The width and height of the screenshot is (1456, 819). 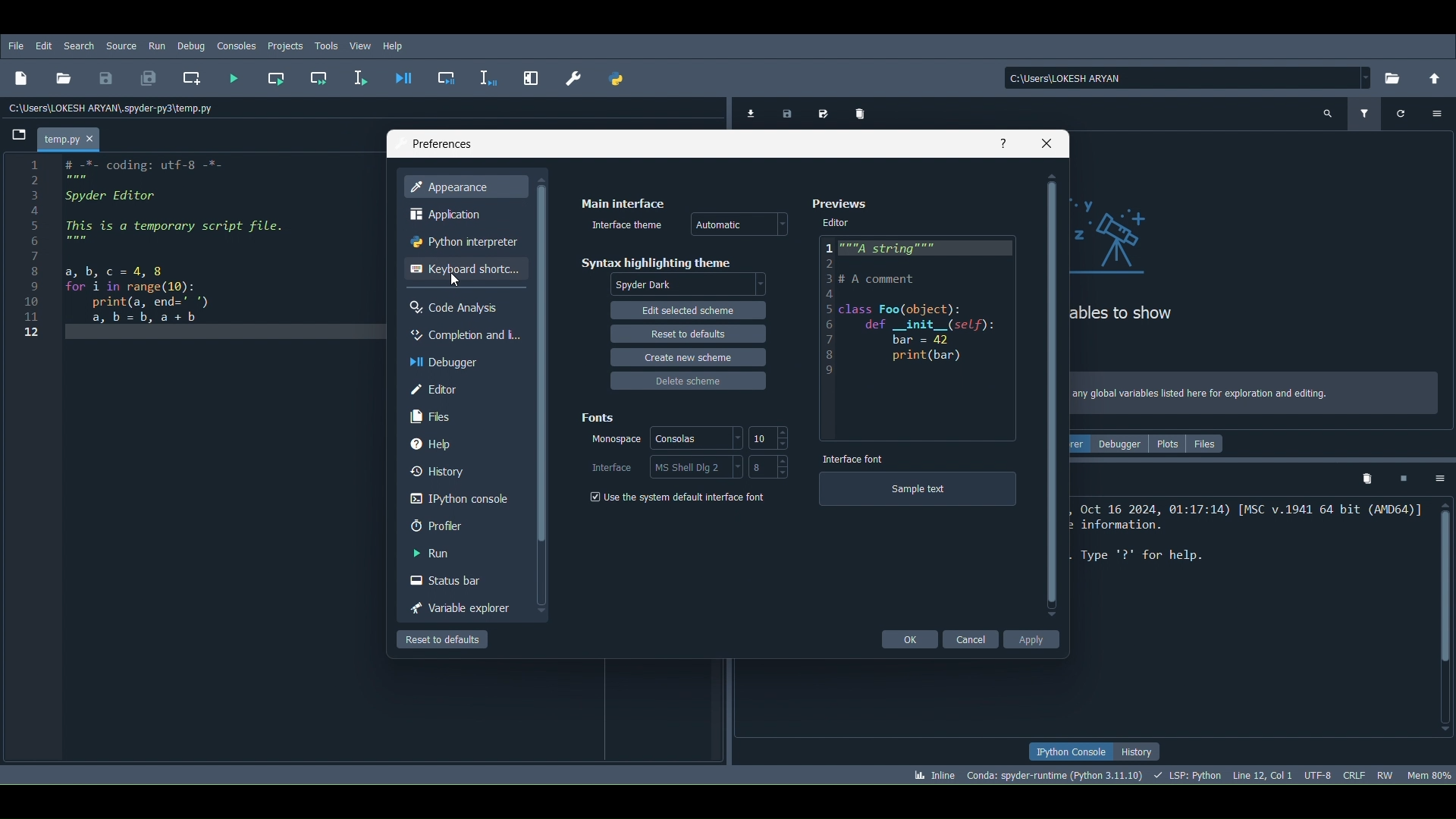 I want to click on Options, so click(x=1437, y=117).